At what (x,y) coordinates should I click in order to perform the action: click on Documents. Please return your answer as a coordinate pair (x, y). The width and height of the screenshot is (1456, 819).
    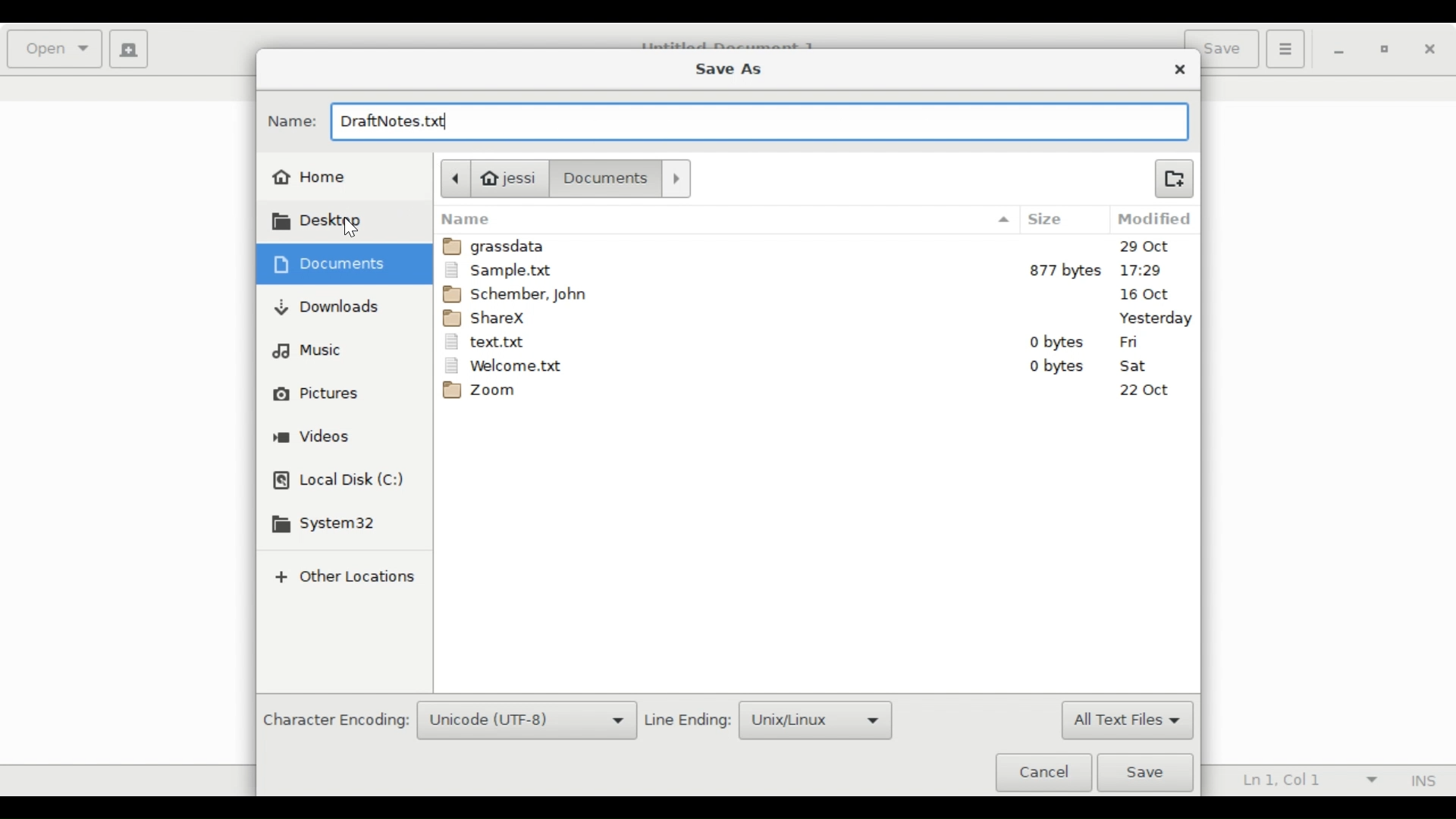
    Looking at the image, I should click on (624, 178).